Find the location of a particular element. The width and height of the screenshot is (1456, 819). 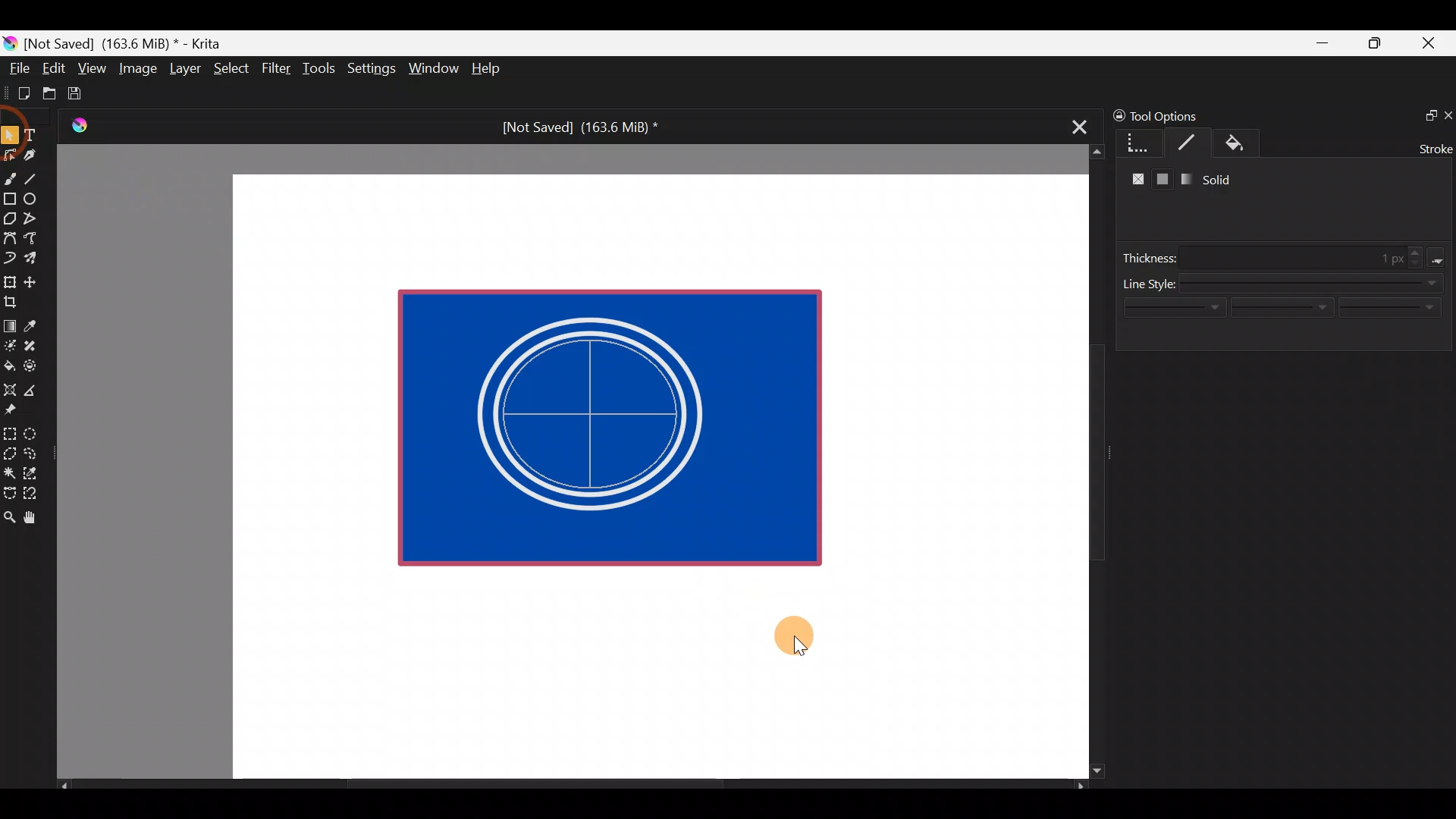

Maximize is located at coordinates (1374, 42).